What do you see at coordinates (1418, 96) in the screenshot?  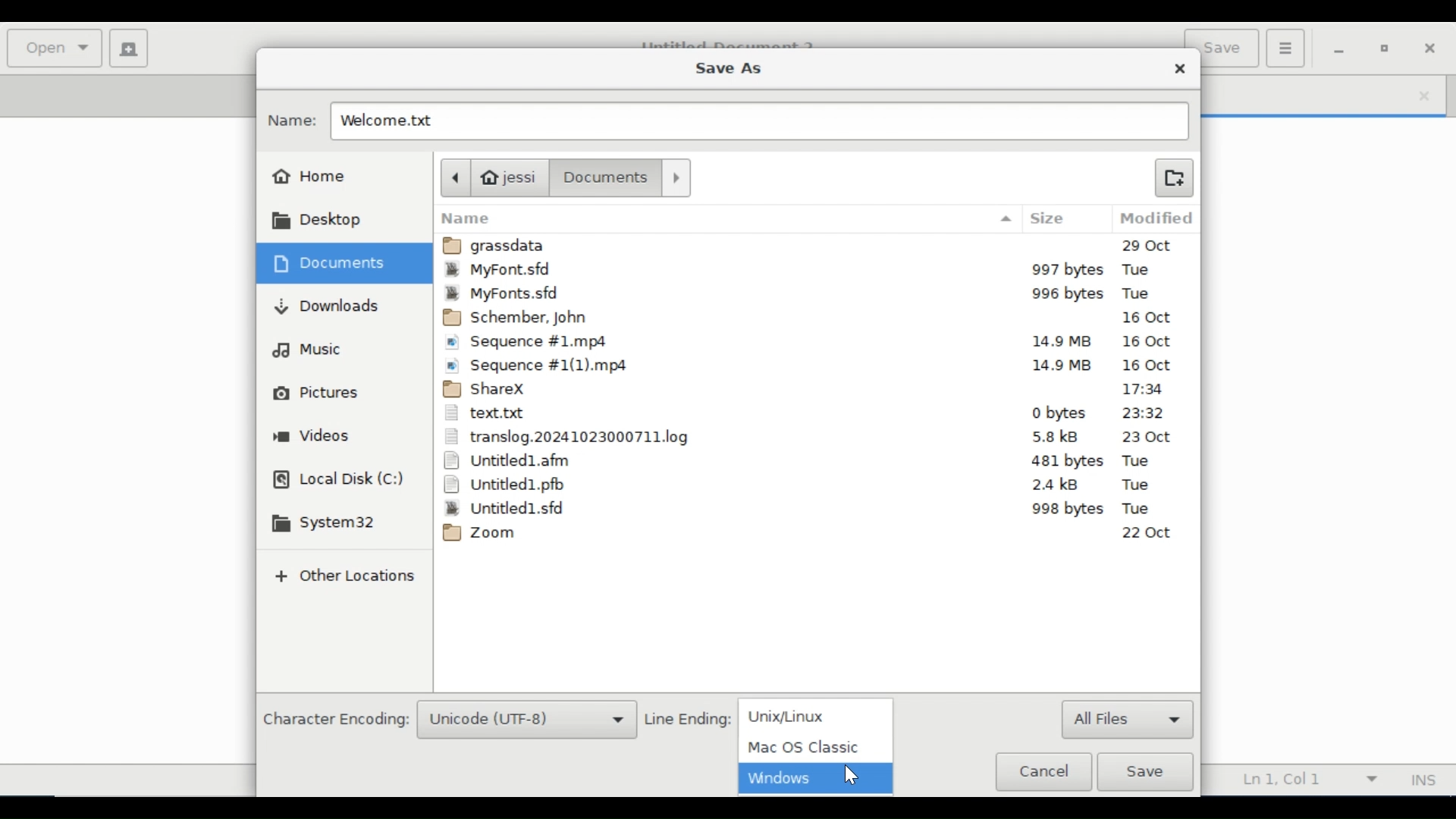 I see `close` at bounding box center [1418, 96].